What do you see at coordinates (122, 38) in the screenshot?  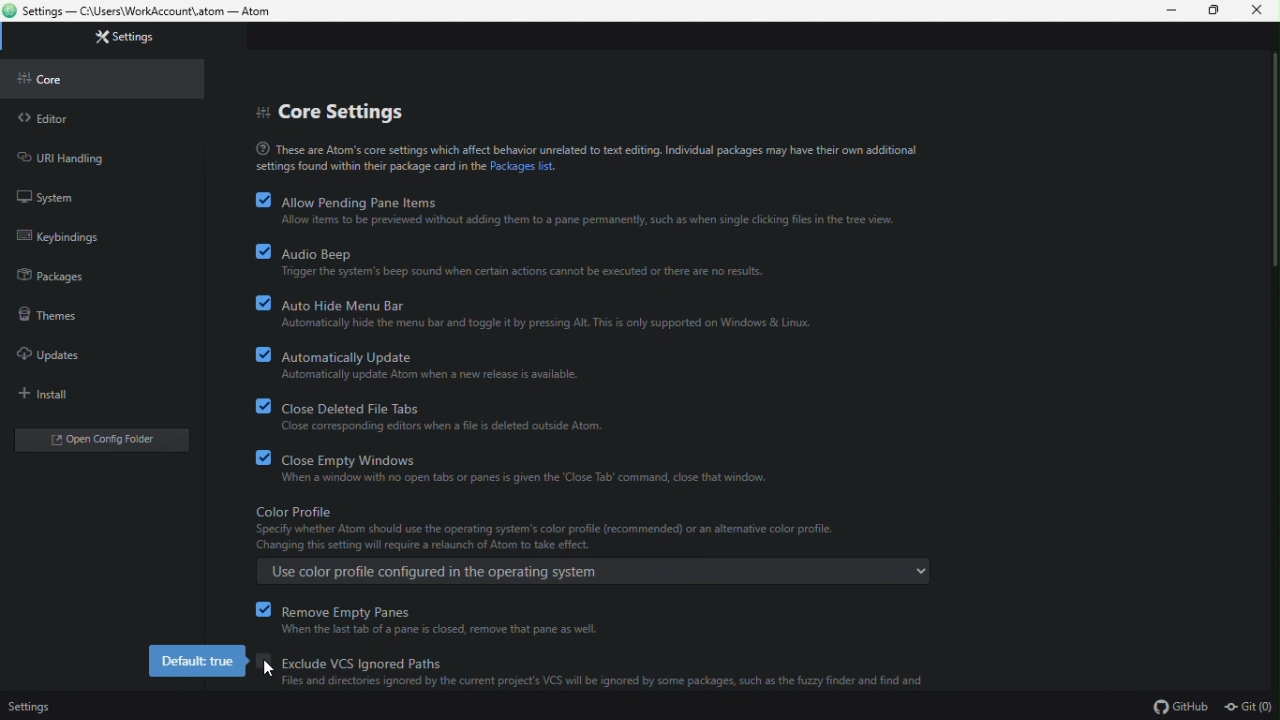 I see `Settings` at bounding box center [122, 38].